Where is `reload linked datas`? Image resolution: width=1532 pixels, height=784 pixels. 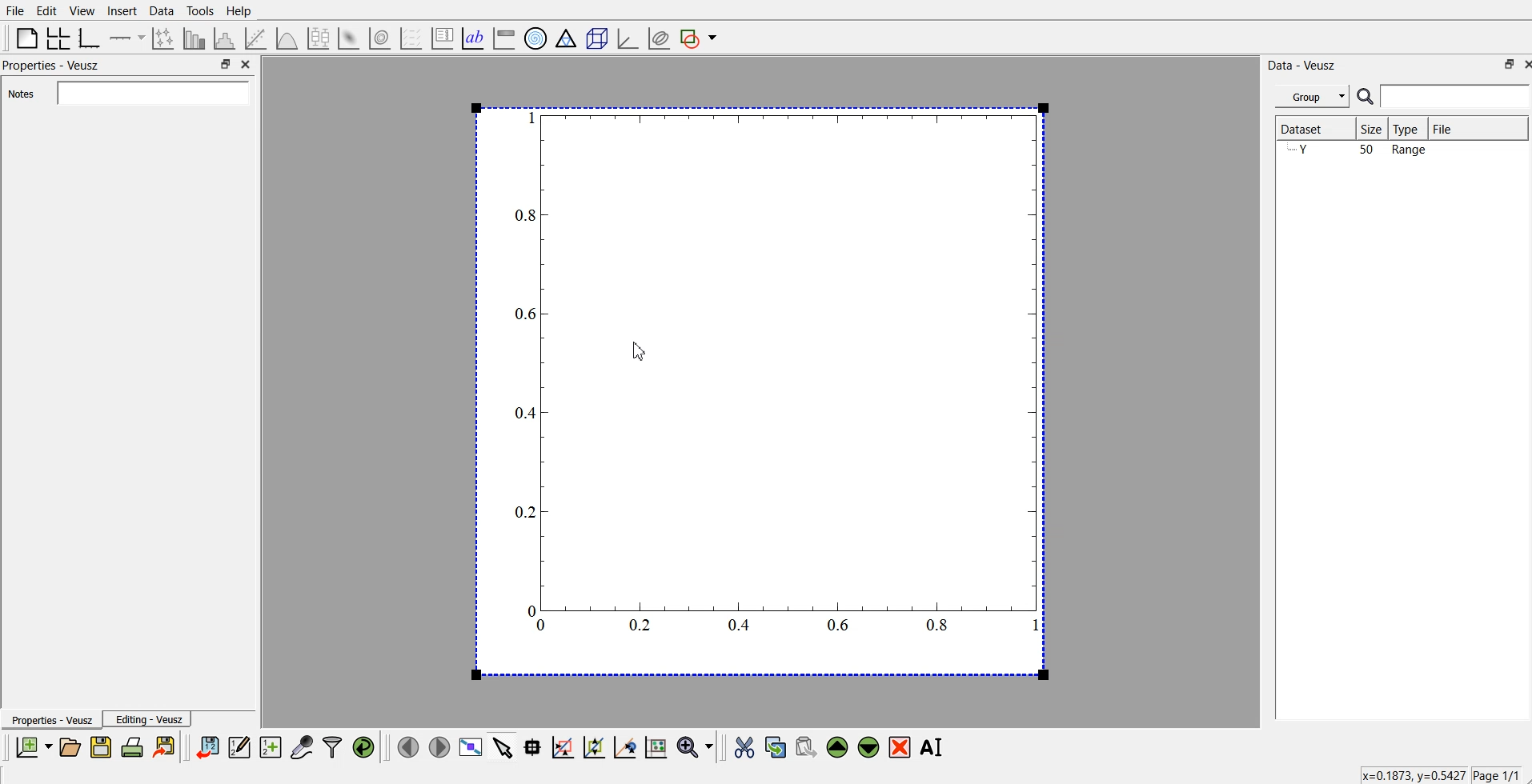
reload linked datas is located at coordinates (365, 748).